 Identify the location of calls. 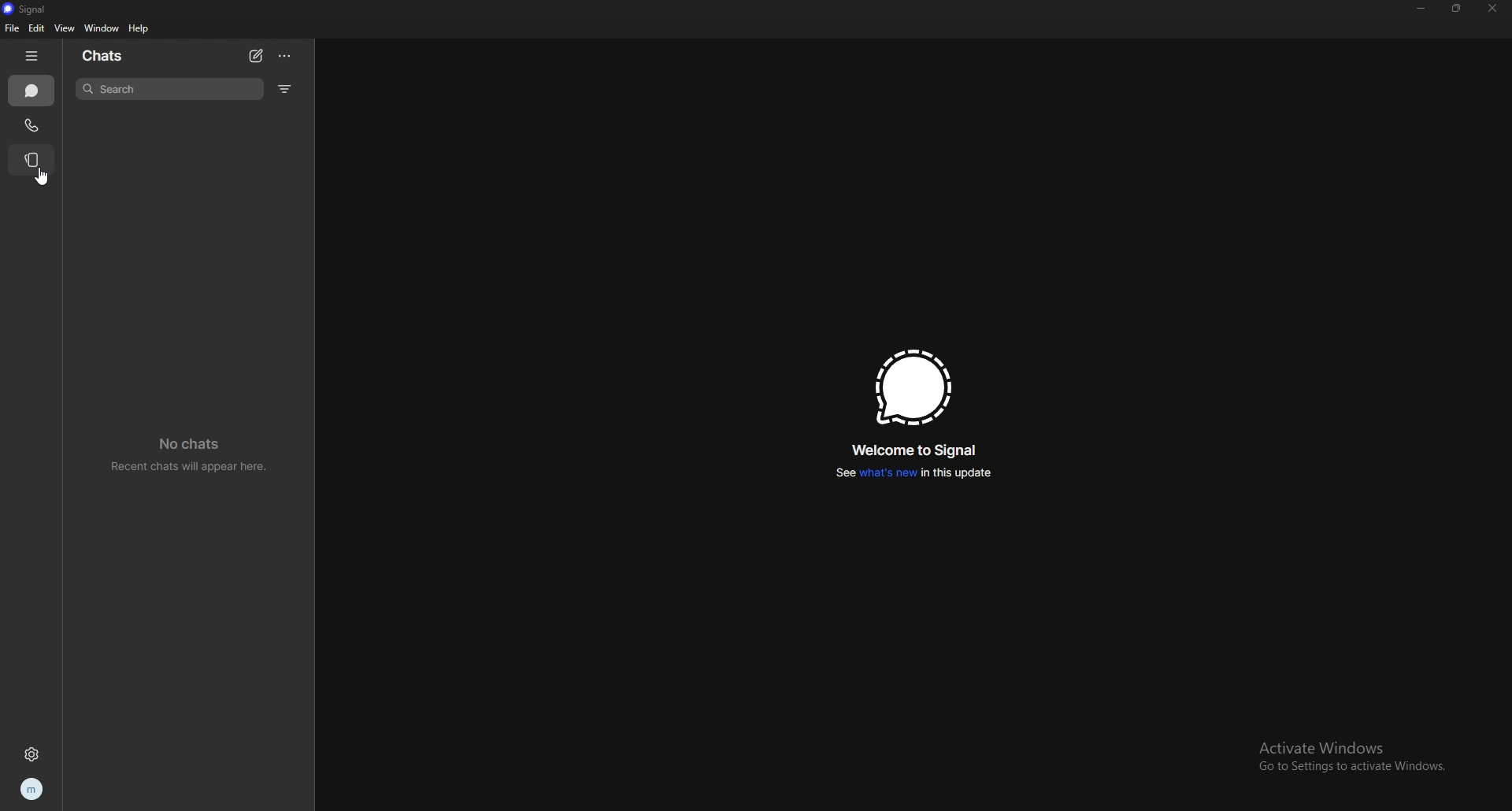
(31, 125).